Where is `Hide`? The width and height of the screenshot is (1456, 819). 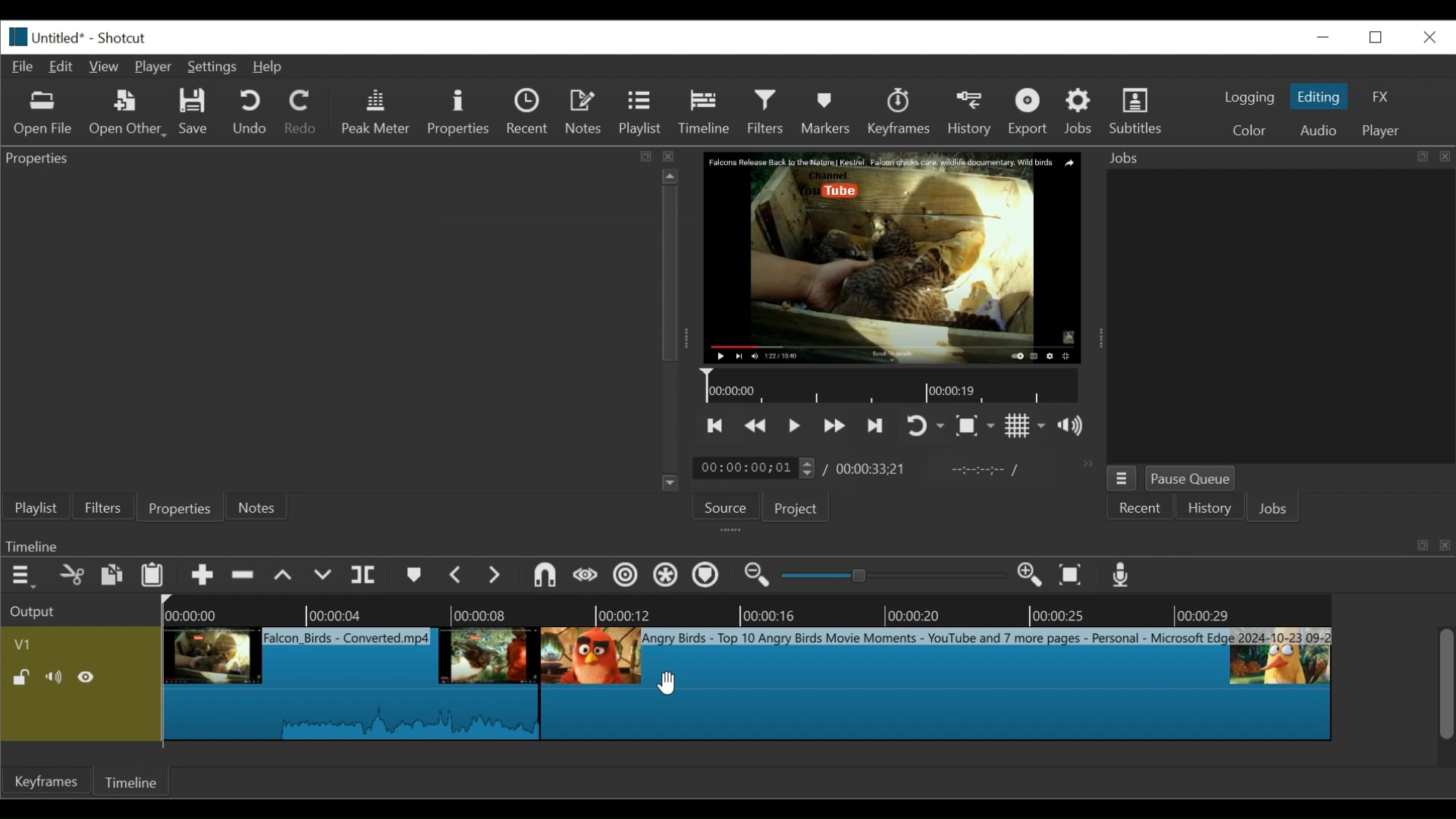
Hide is located at coordinates (89, 676).